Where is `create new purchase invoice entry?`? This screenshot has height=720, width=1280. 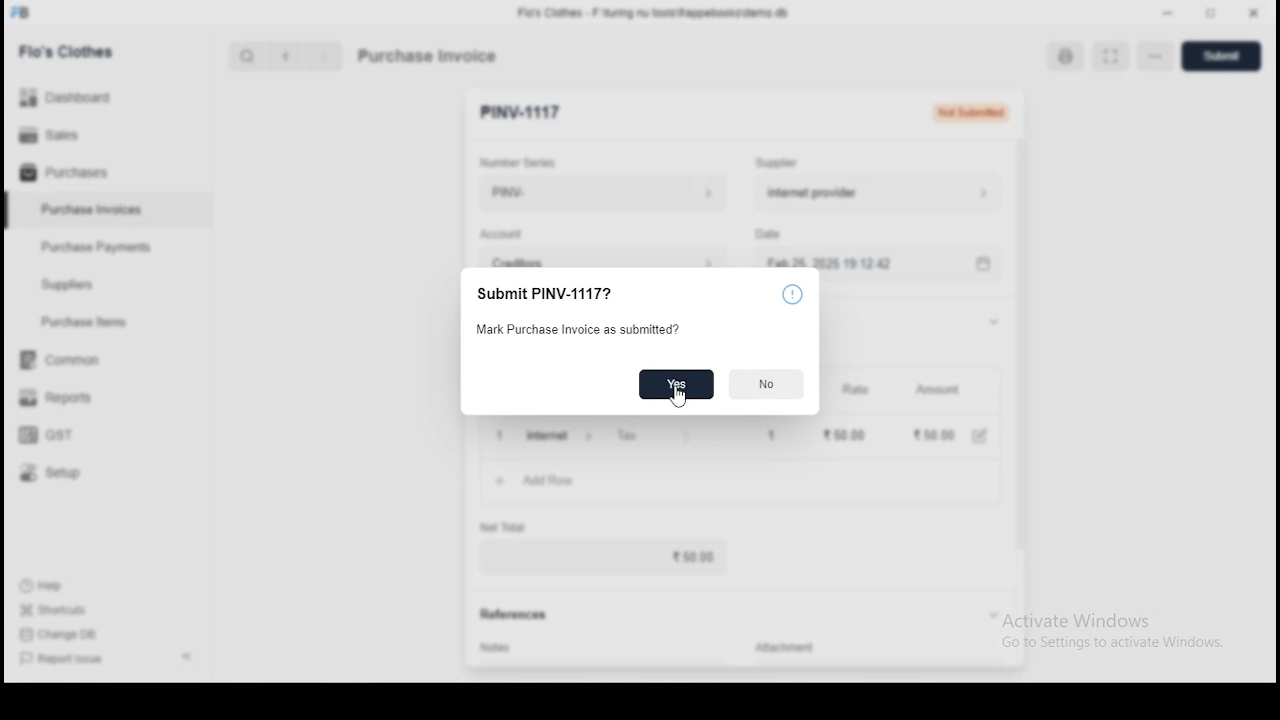
create new purchase invoice entry? is located at coordinates (584, 331).